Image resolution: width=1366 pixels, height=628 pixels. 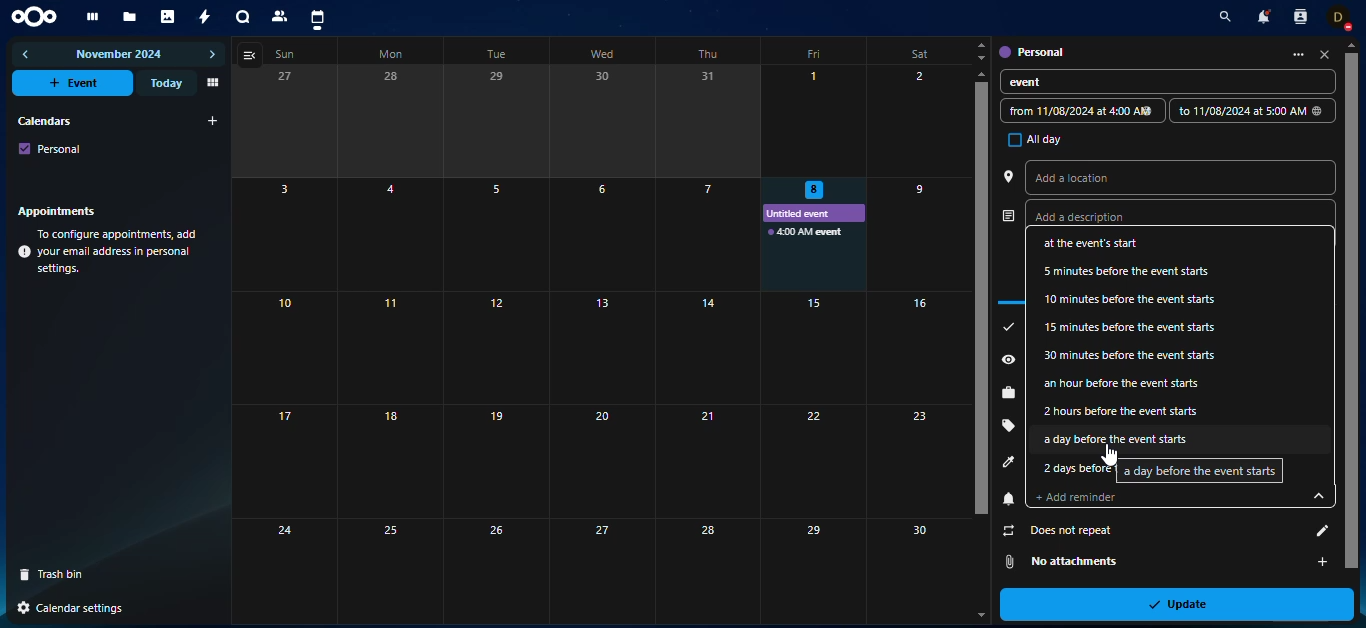 What do you see at coordinates (1122, 410) in the screenshot?
I see `2 hrs` at bounding box center [1122, 410].